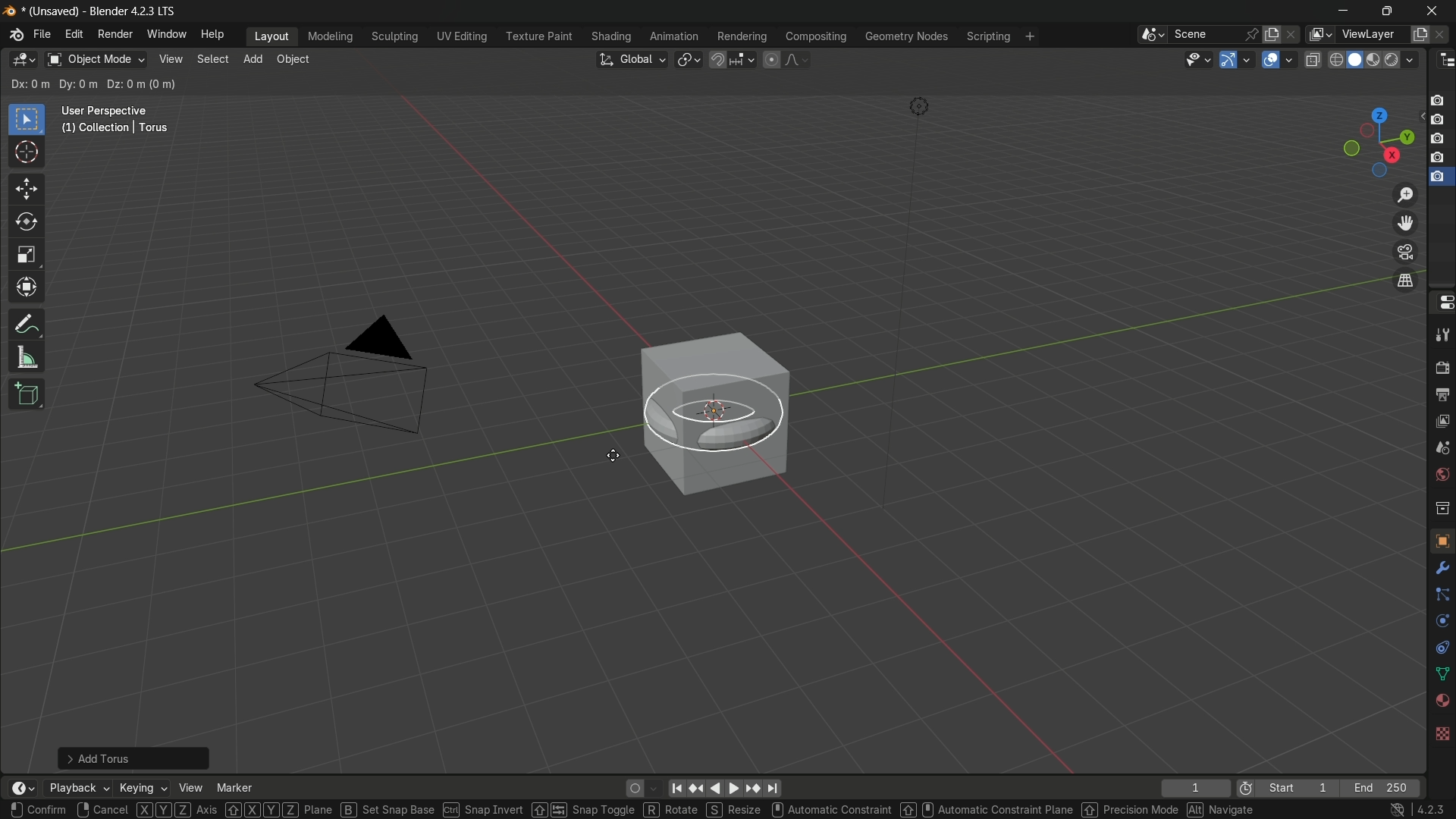 The width and height of the screenshot is (1456, 819). Describe the element at coordinates (770, 59) in the screenshot. I see `proportional editing object` at that location.